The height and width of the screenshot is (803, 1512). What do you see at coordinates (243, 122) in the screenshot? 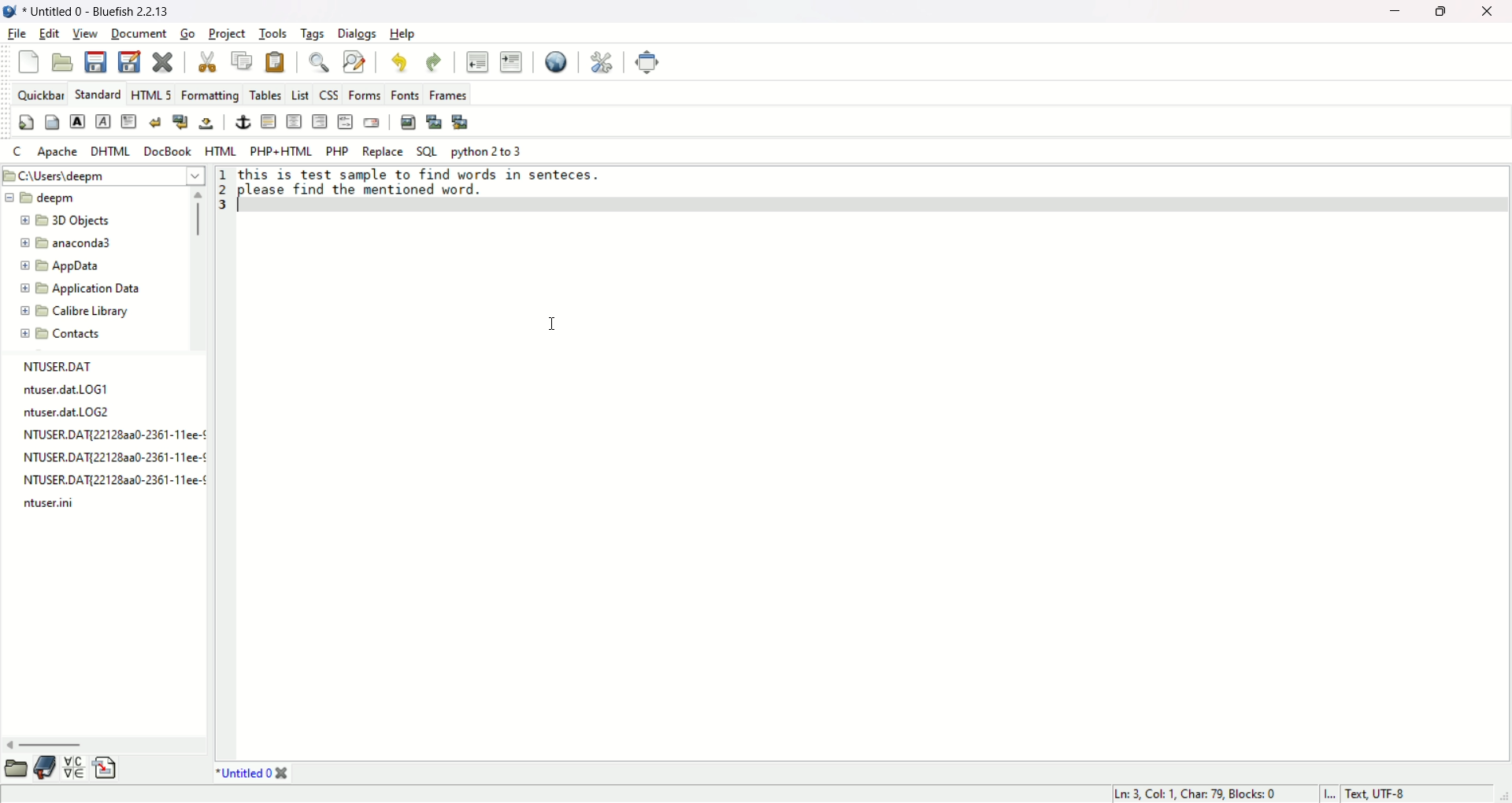
I see `anchor/hyperlink` at bounding box center [243, 122].